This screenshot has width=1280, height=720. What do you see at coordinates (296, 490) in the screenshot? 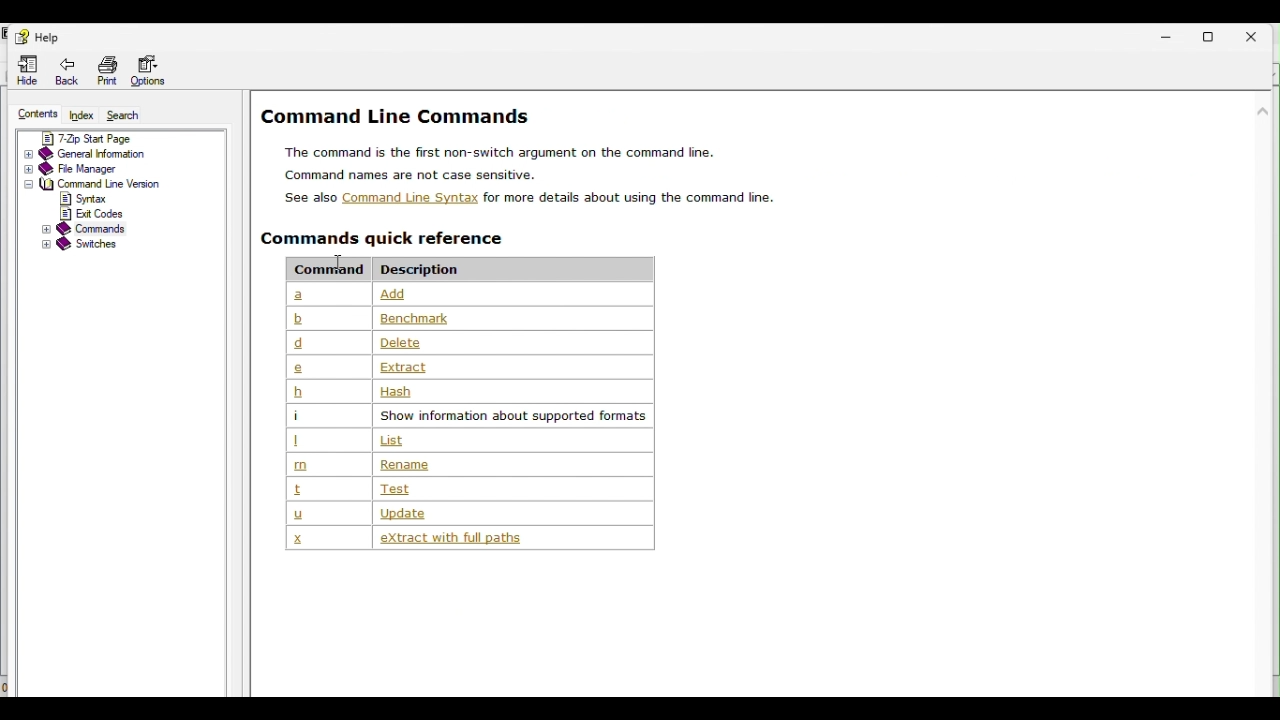
I see `t` at bounding box center [296, 490].